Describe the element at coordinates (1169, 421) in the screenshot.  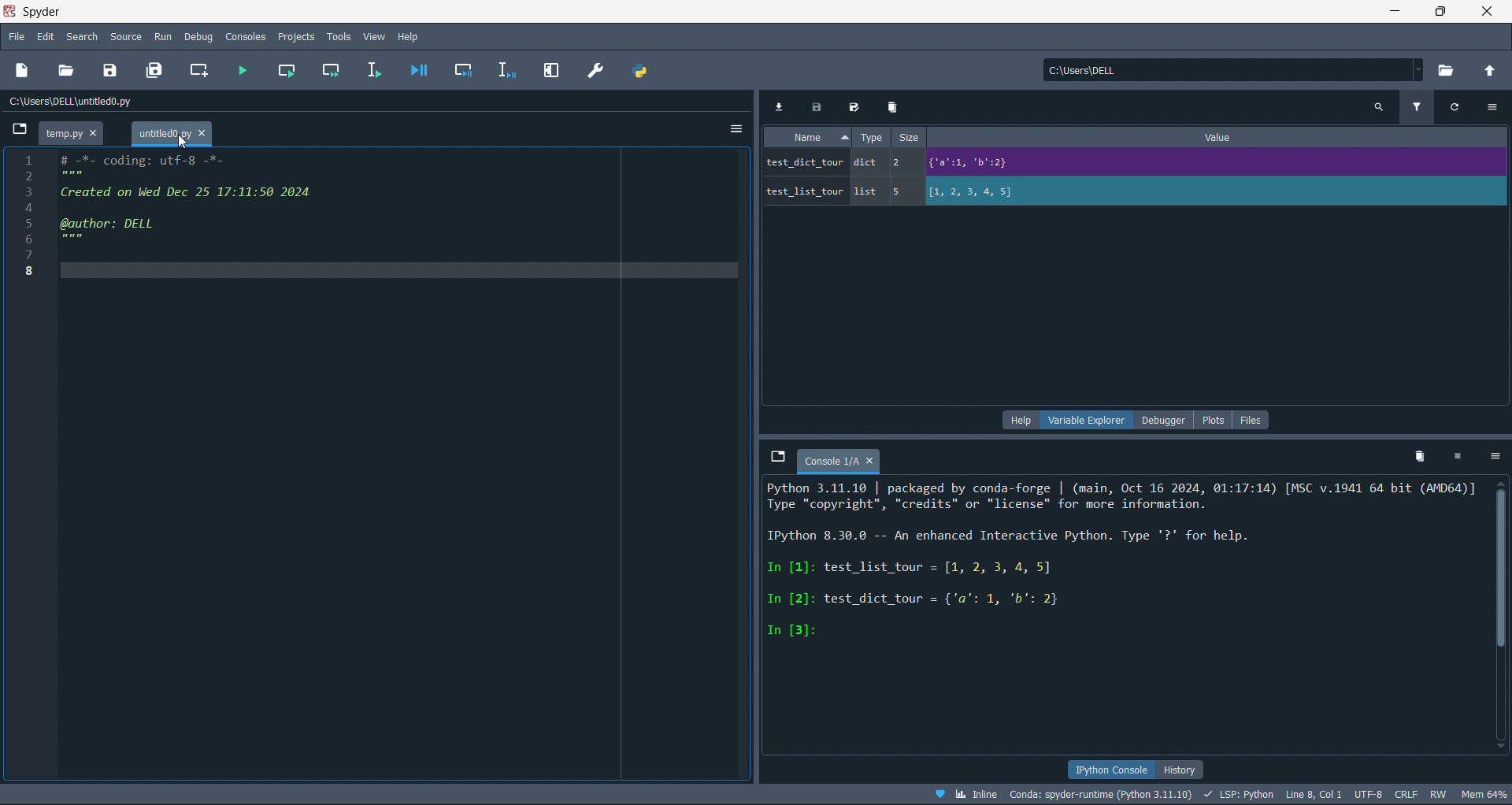
I see `debugger pane` at that location.